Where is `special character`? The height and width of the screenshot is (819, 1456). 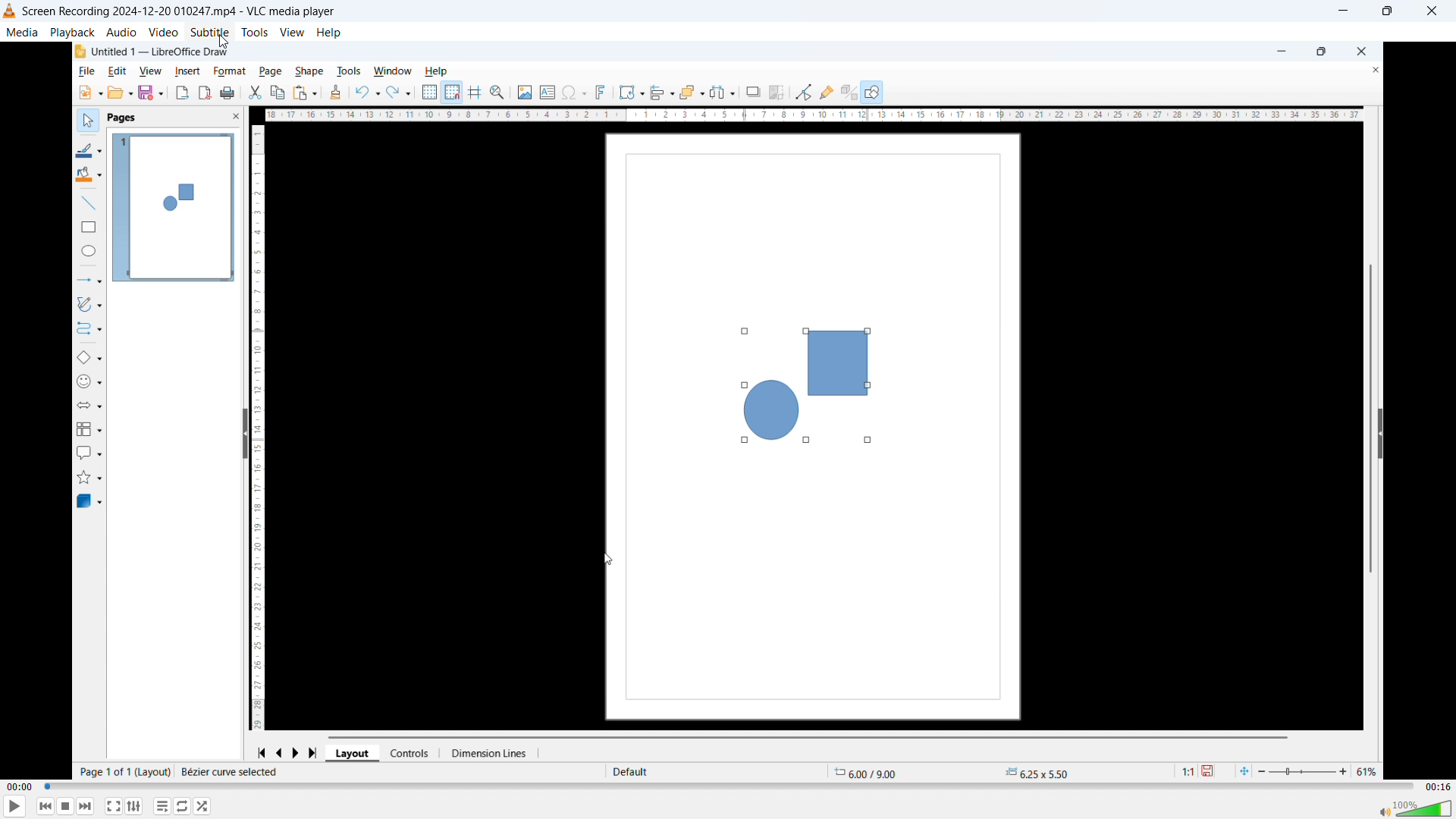 special character is located at coordinates (575, 93).